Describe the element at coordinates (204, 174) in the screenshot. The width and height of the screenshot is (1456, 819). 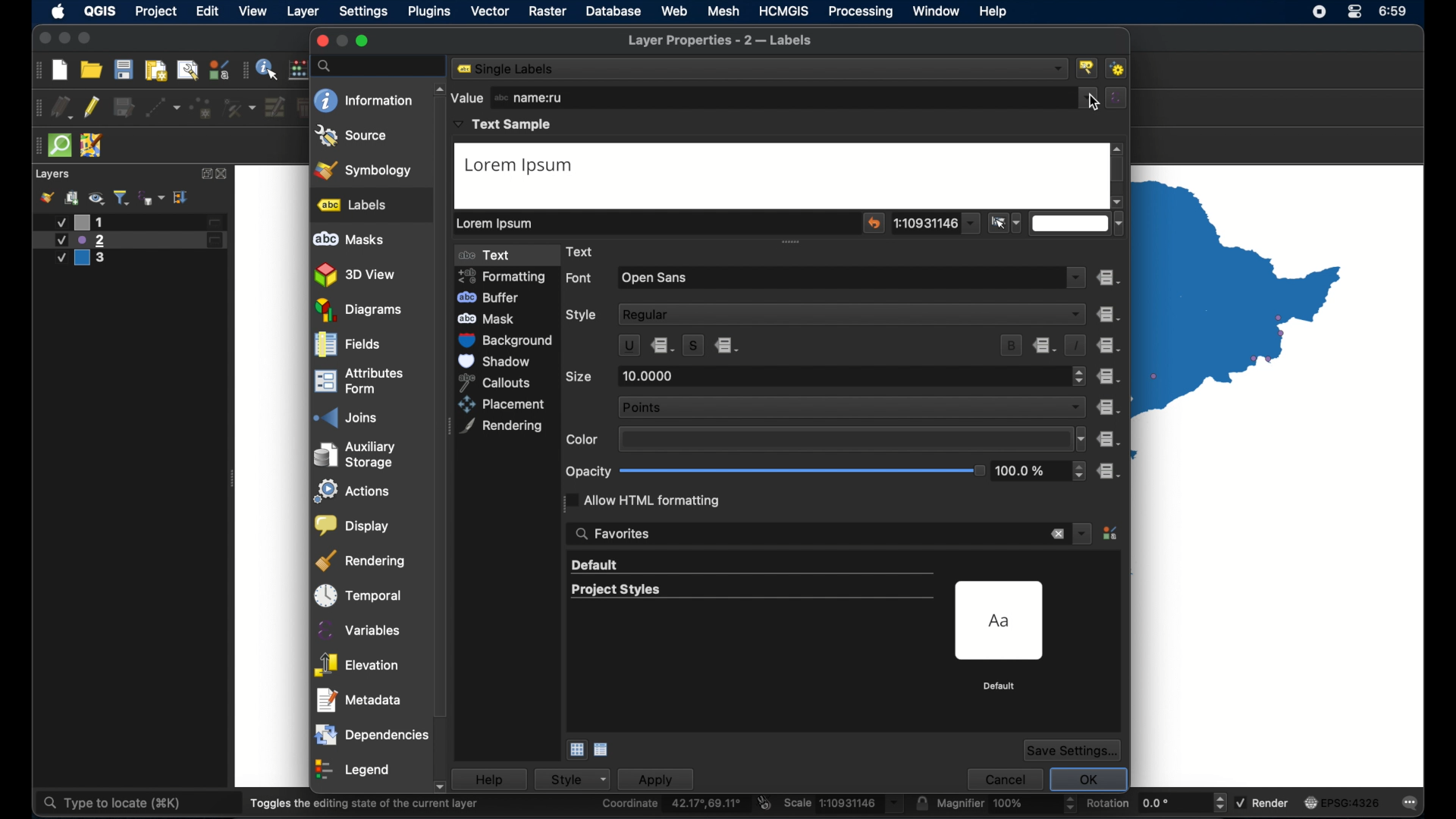
I see `expand` at that location.